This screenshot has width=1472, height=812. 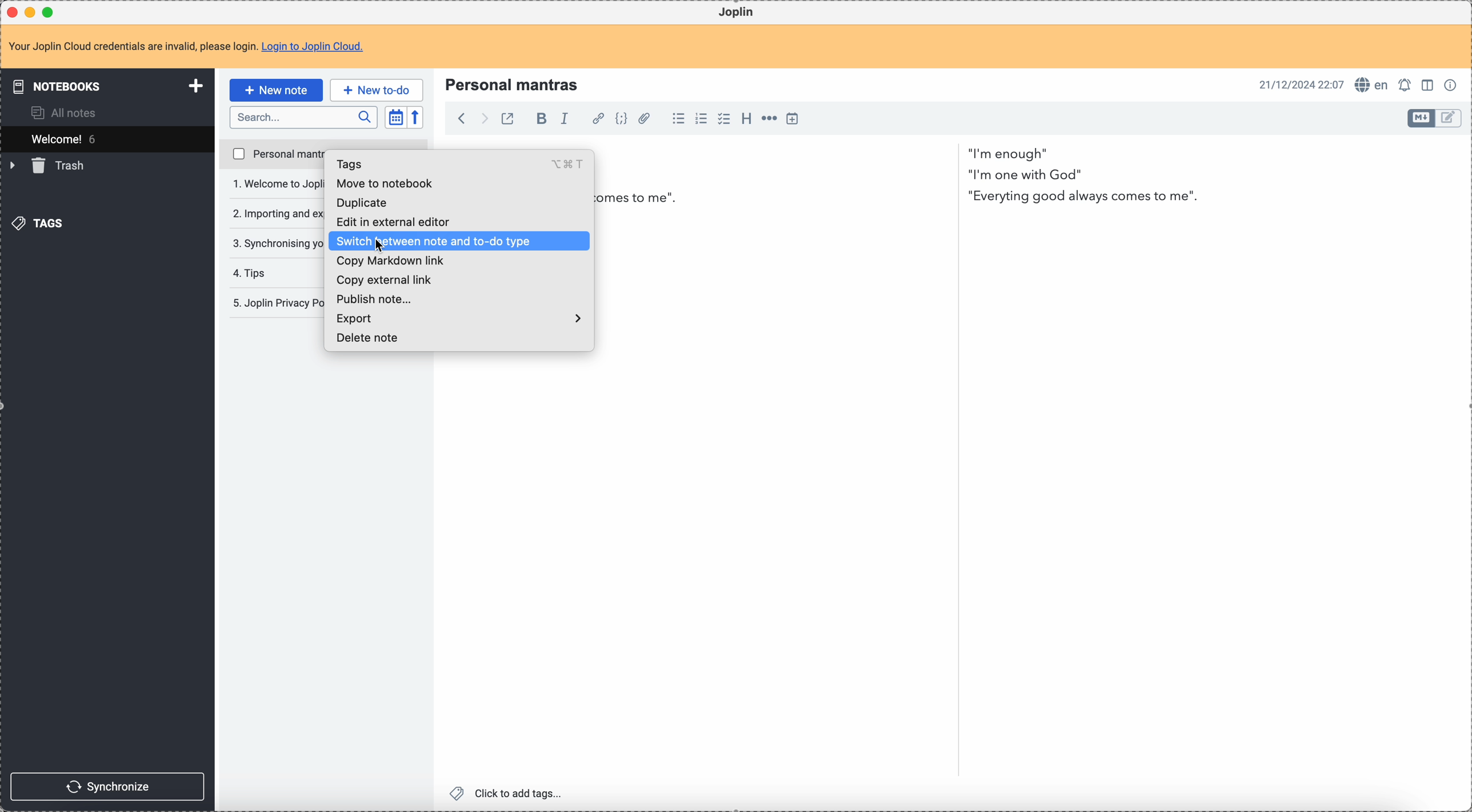 I want to click on importing and exporting notes, so click(x=276, y=216).